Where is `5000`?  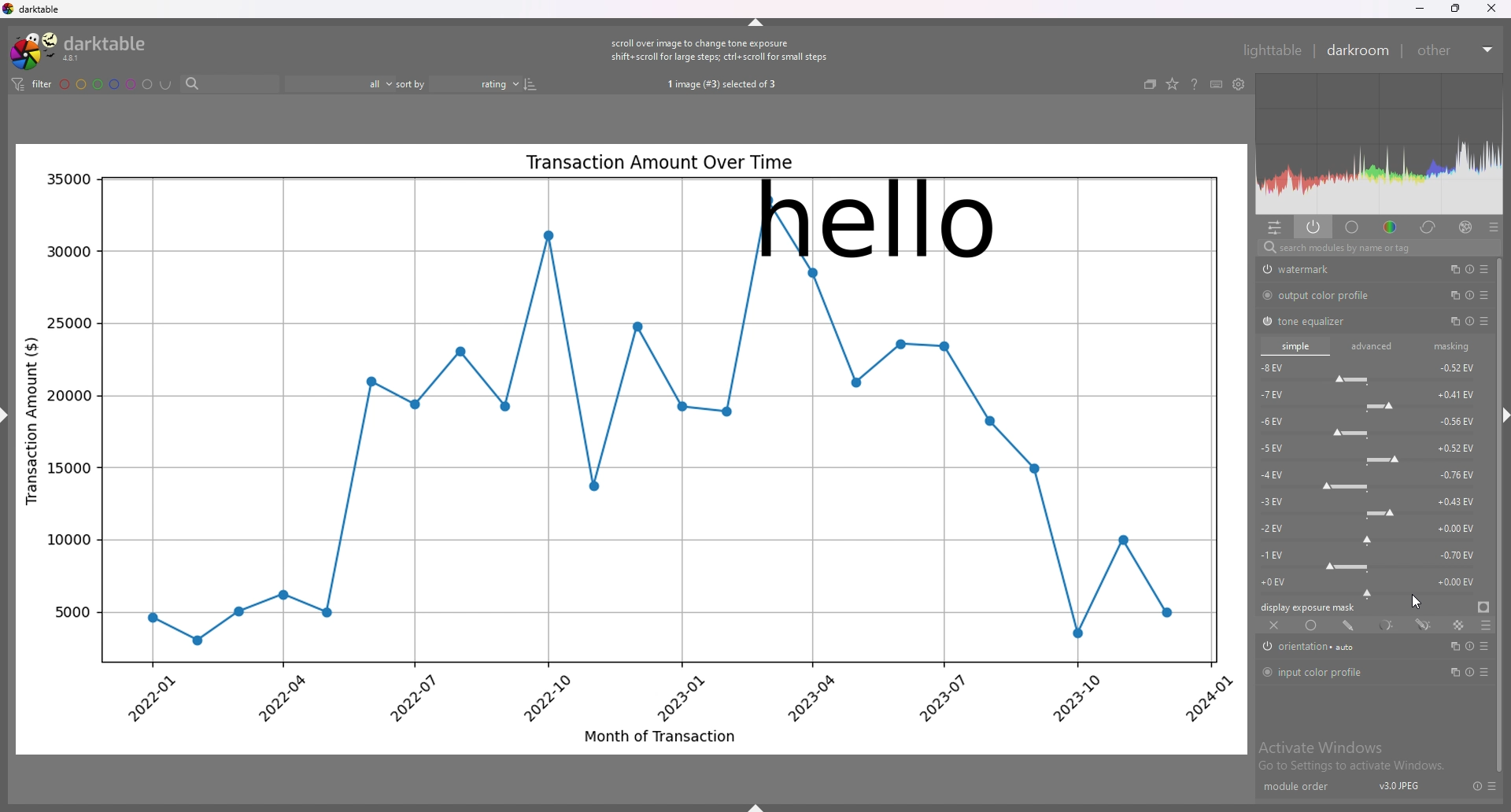 5000 is located at coordinates (71, 611).